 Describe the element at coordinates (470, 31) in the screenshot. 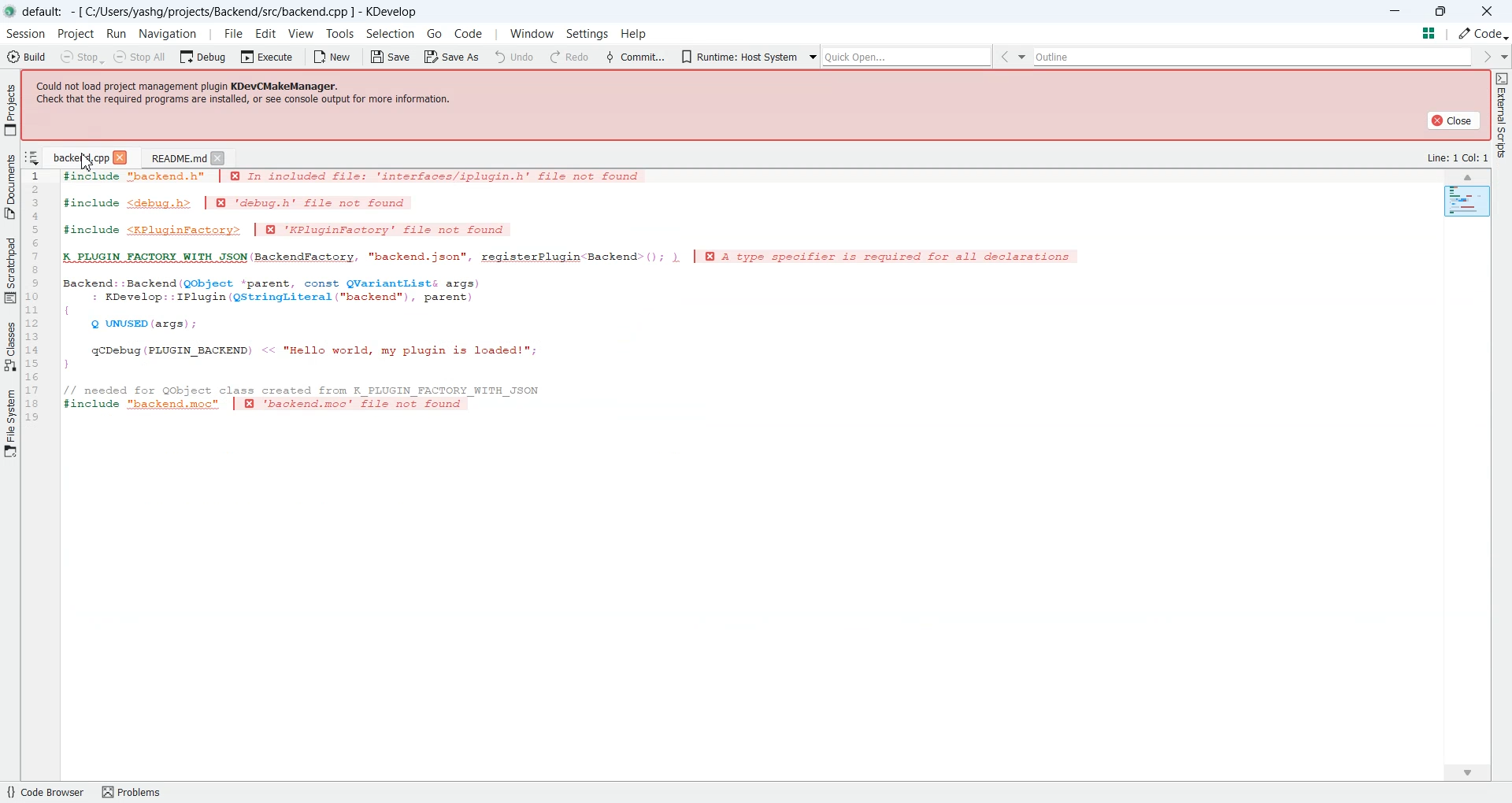

I see `Code` at that location.